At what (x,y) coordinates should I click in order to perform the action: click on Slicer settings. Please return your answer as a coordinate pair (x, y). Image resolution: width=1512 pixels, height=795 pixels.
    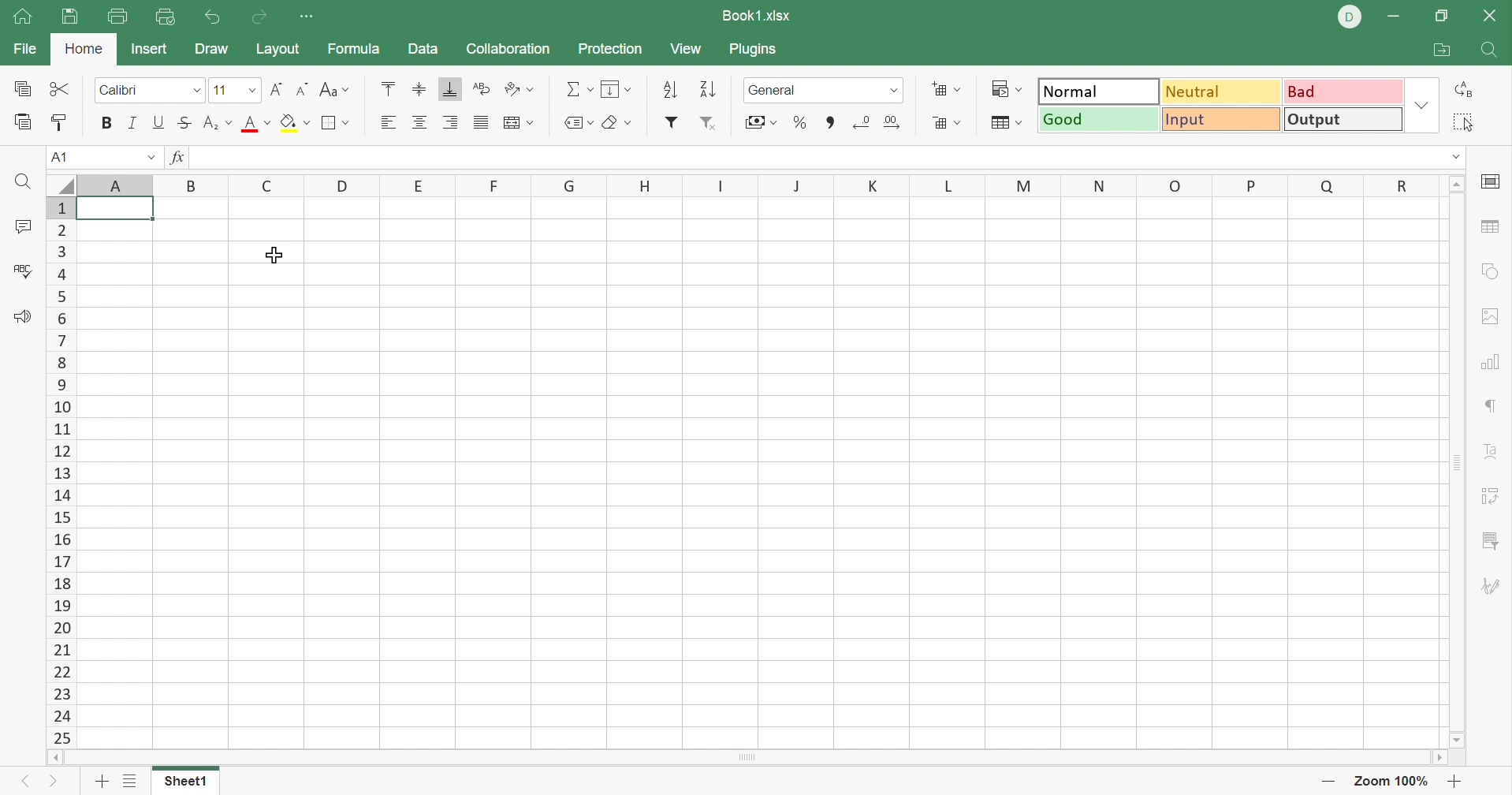
    Looking at the image, I should click on (1490, 541).